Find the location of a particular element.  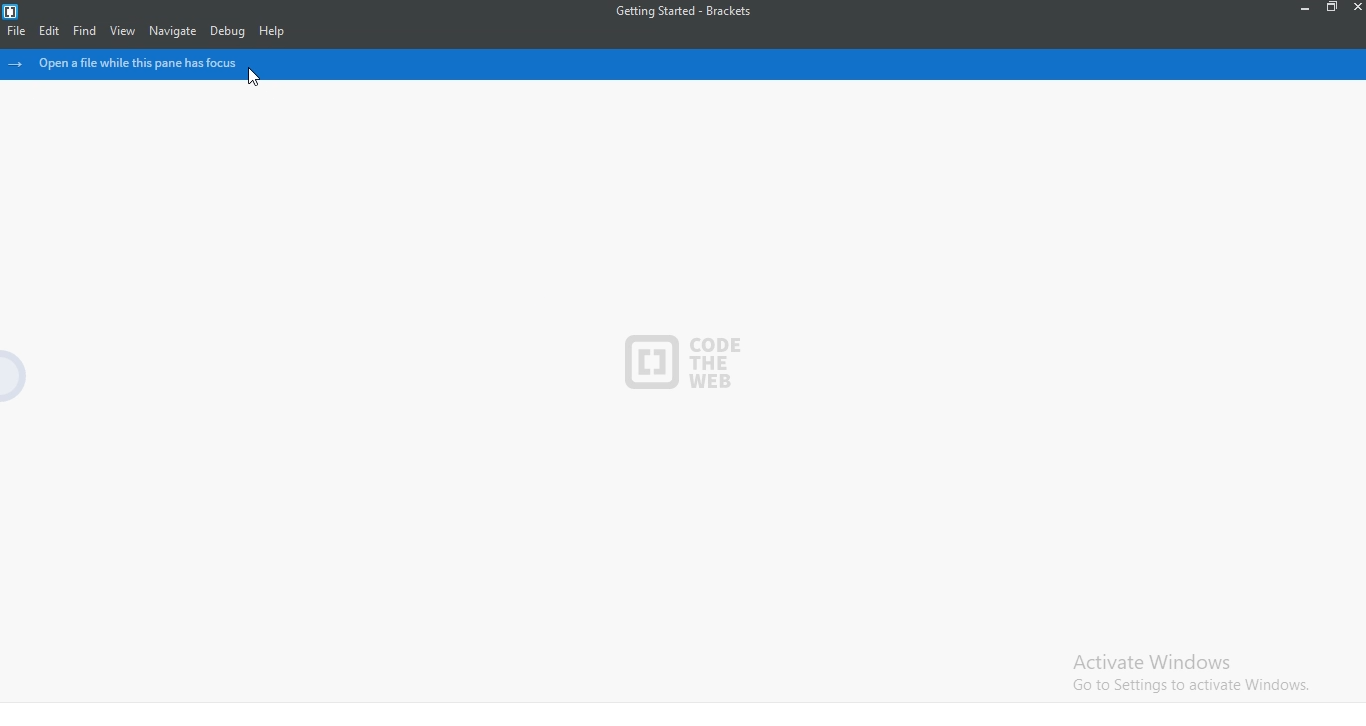

Help is located at coordinates (275, 34).